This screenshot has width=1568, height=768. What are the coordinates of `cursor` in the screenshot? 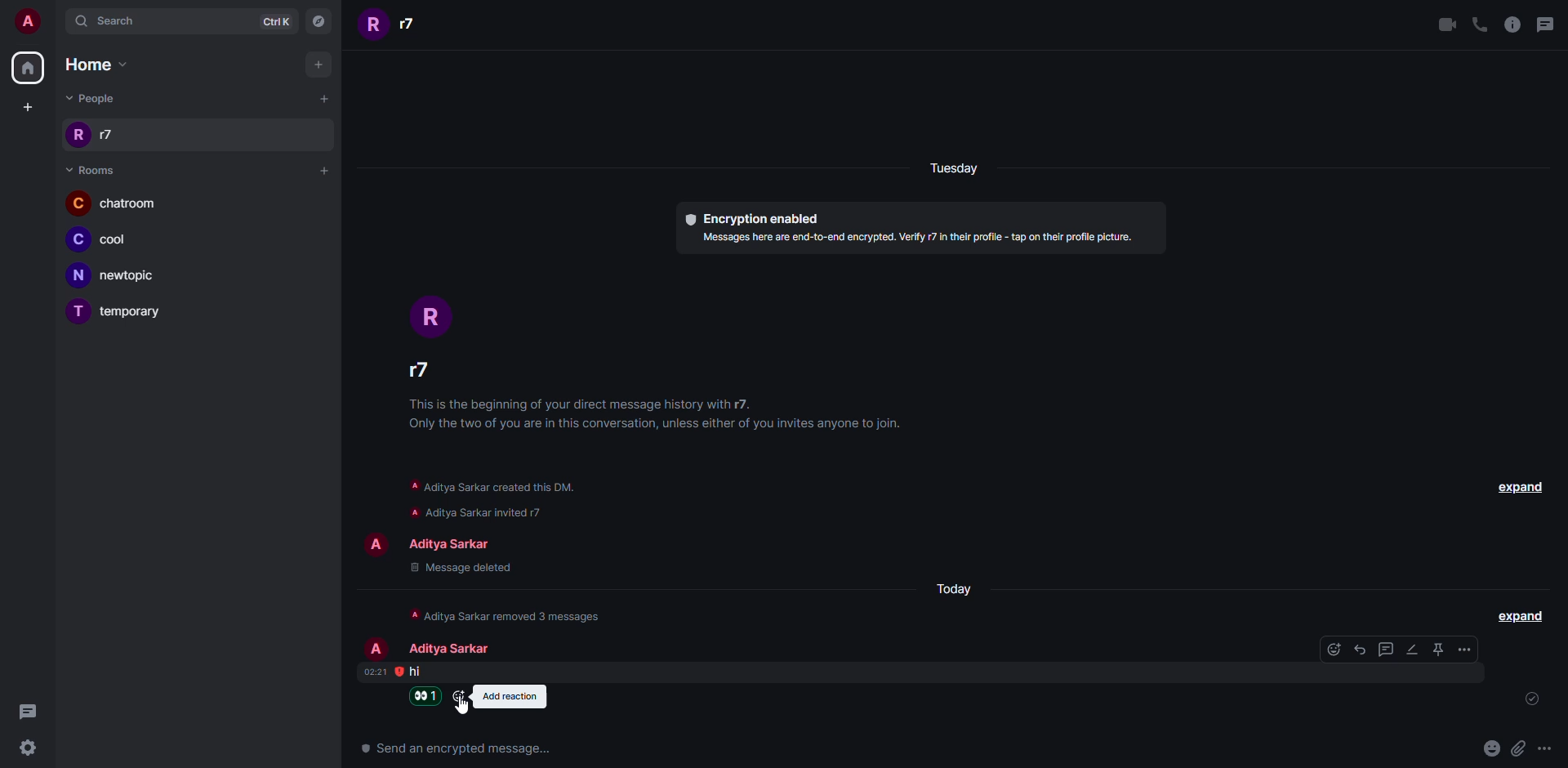 It's located at (461, 708).